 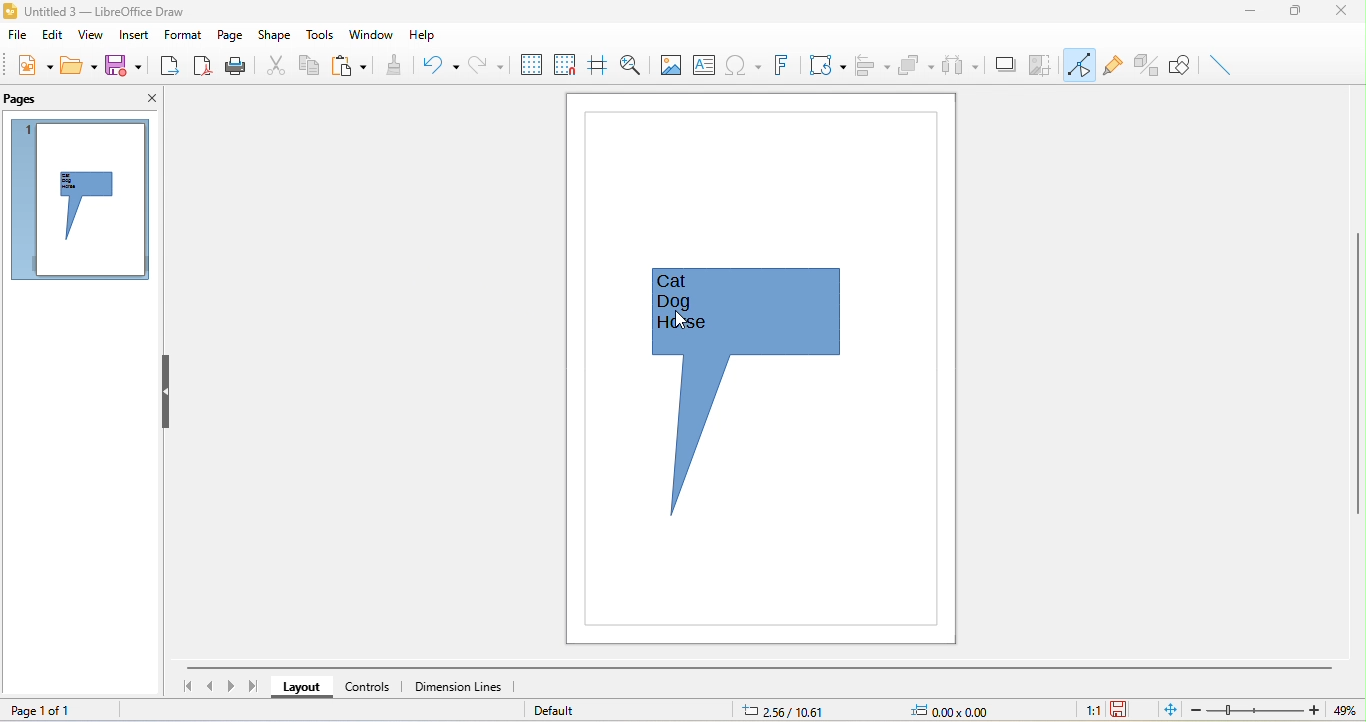 I want to click on toggle point edit mode, so click(x=1080, y=64).